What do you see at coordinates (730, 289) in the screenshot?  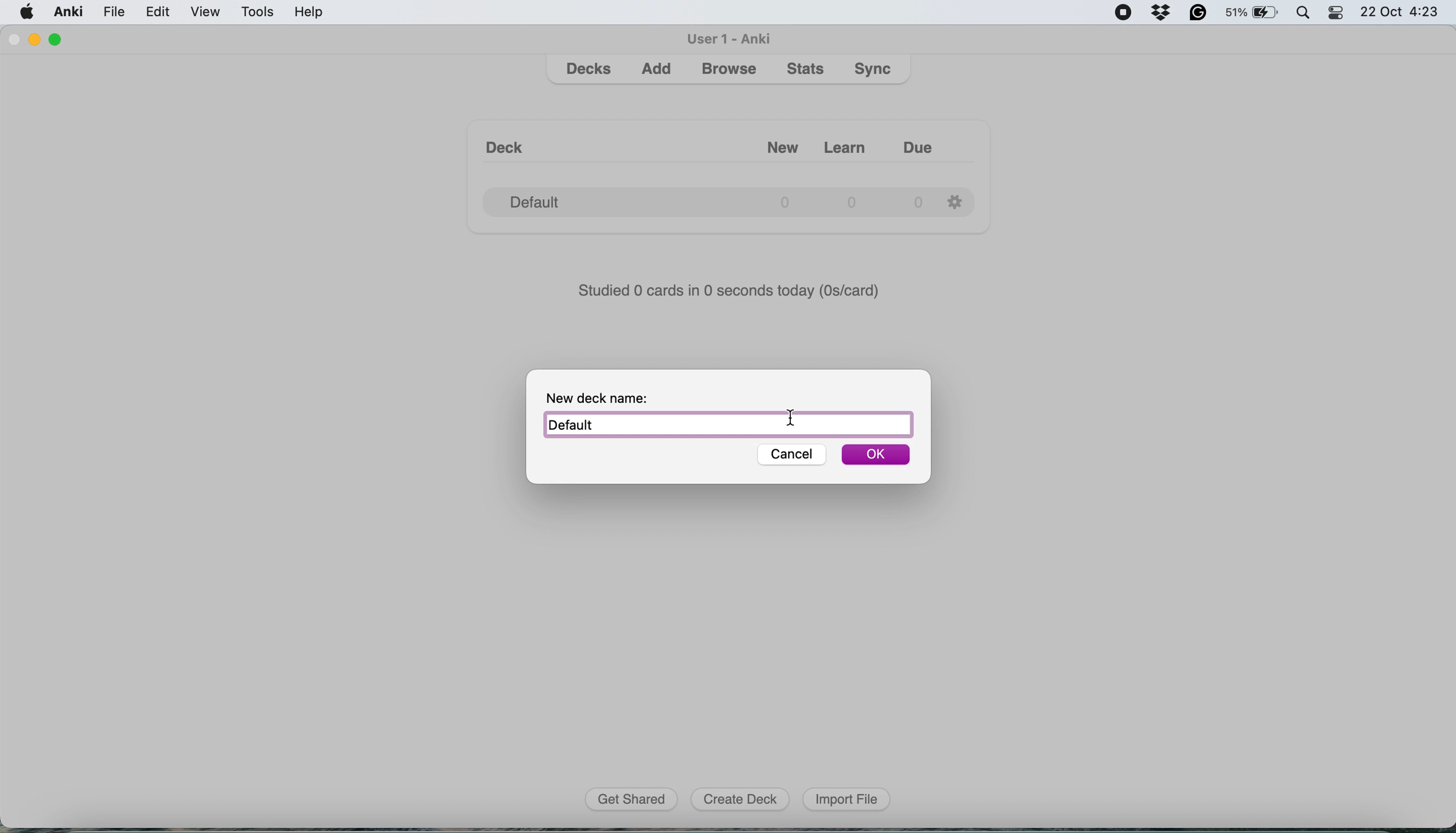 I see `Studied 0 cards in 0 seconds today (Discard)` at bounding box center [730, 289].